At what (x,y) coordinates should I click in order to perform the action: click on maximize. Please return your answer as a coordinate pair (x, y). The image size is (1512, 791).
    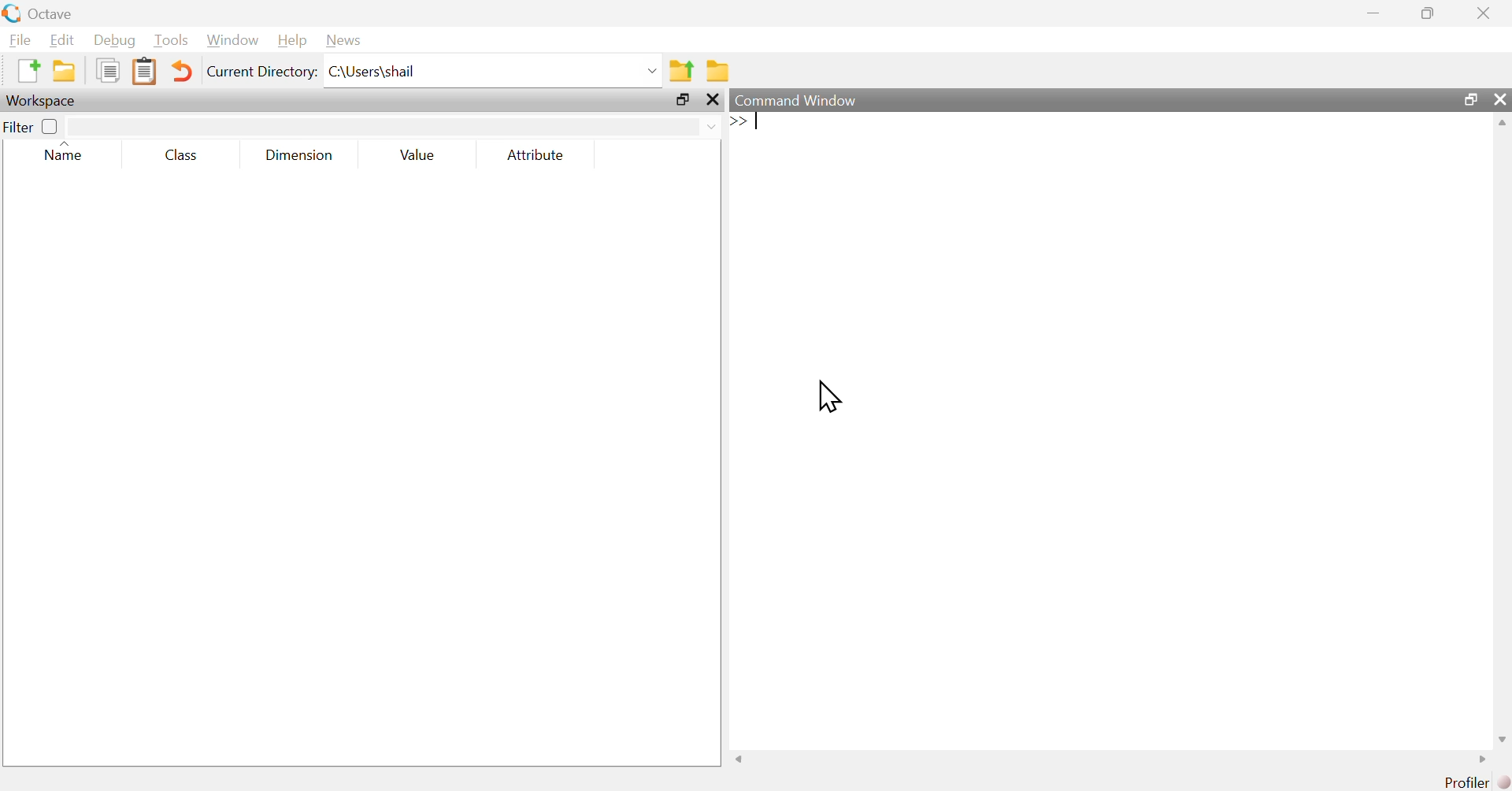
    Looking at the image, I should click on (1429, 13).